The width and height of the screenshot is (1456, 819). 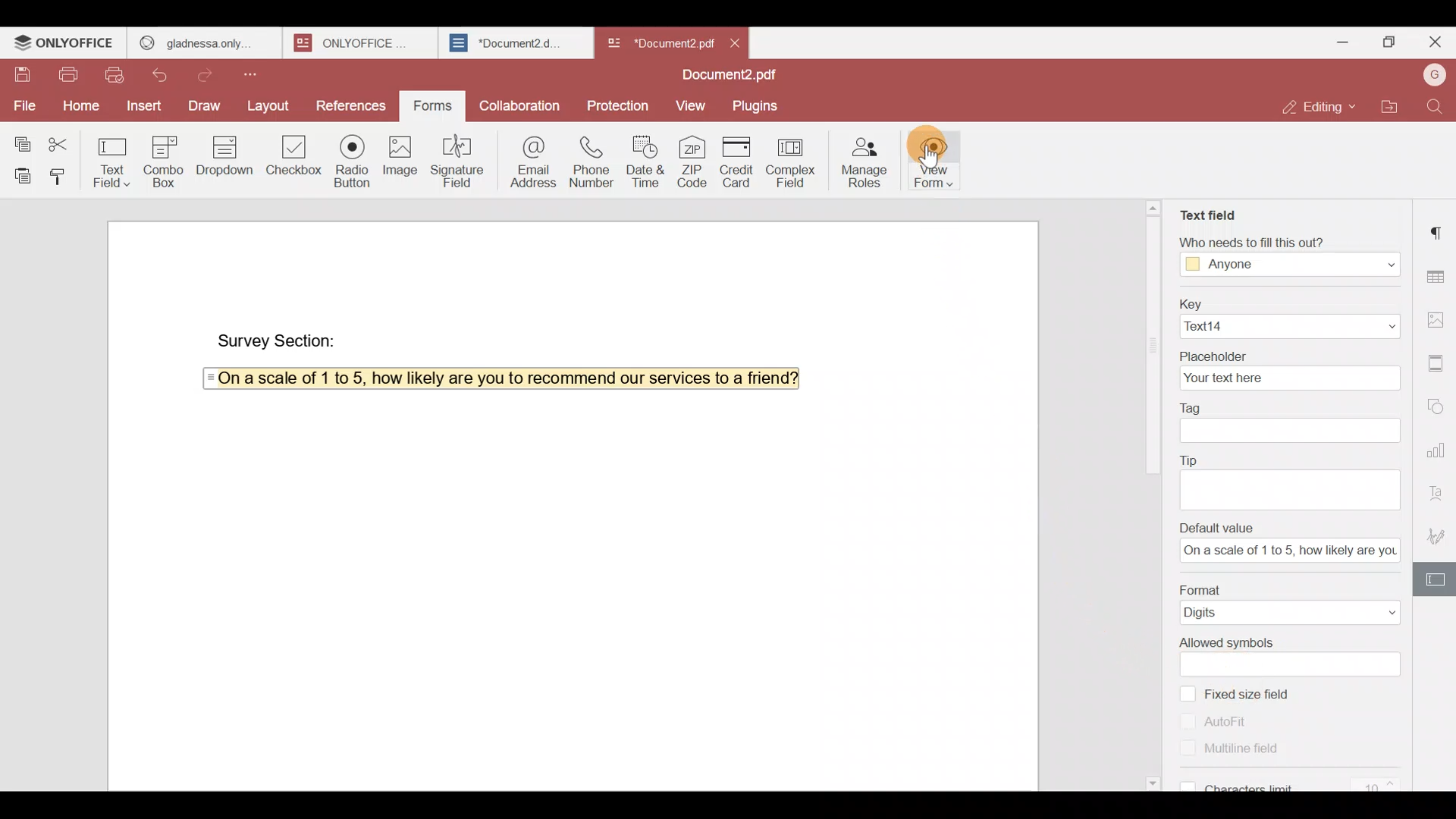 I want to click on Date & time, so click(x=645, y=161).